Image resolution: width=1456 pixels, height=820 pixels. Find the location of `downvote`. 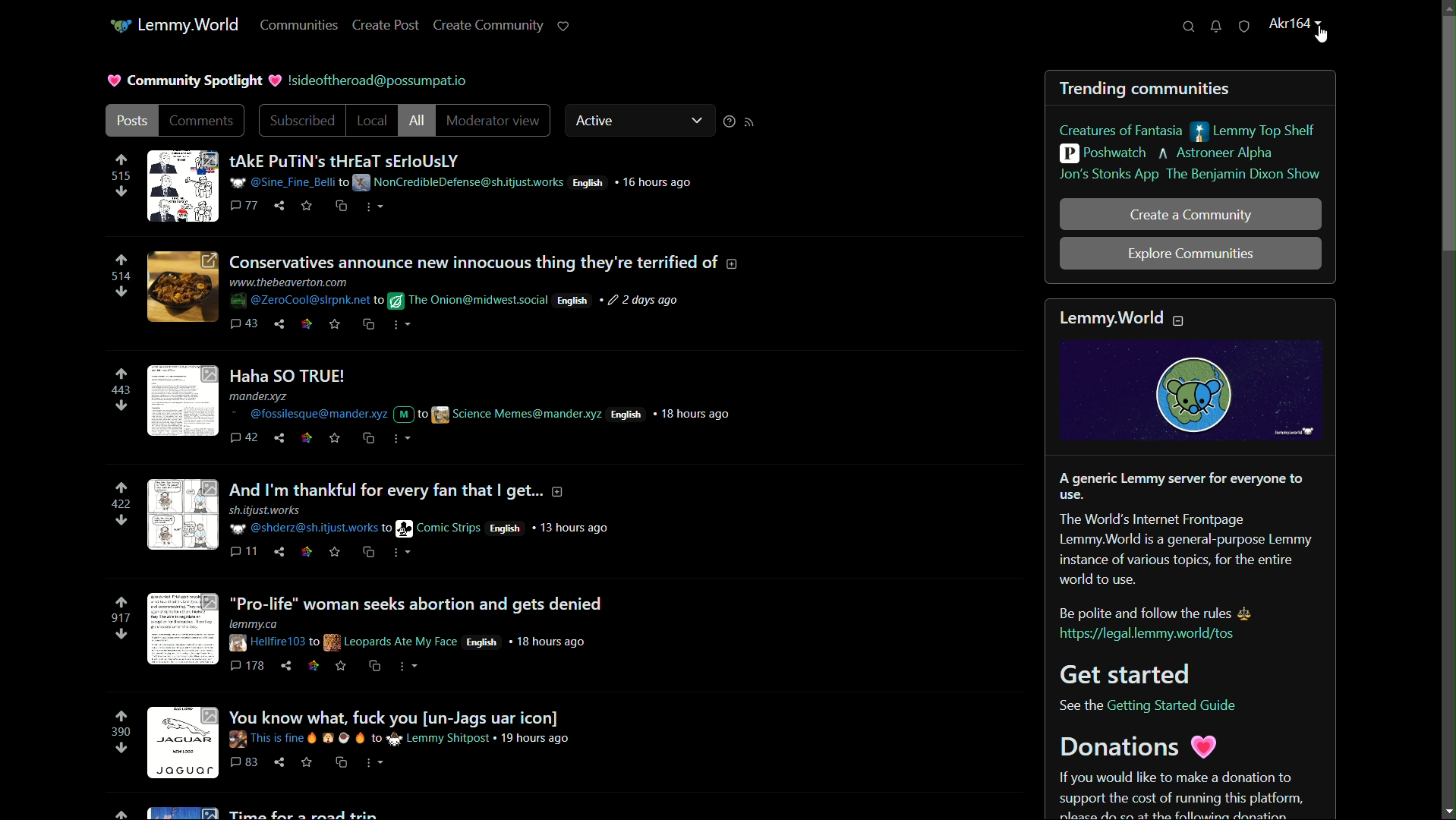

downvote is located at coordinates (120, 635).